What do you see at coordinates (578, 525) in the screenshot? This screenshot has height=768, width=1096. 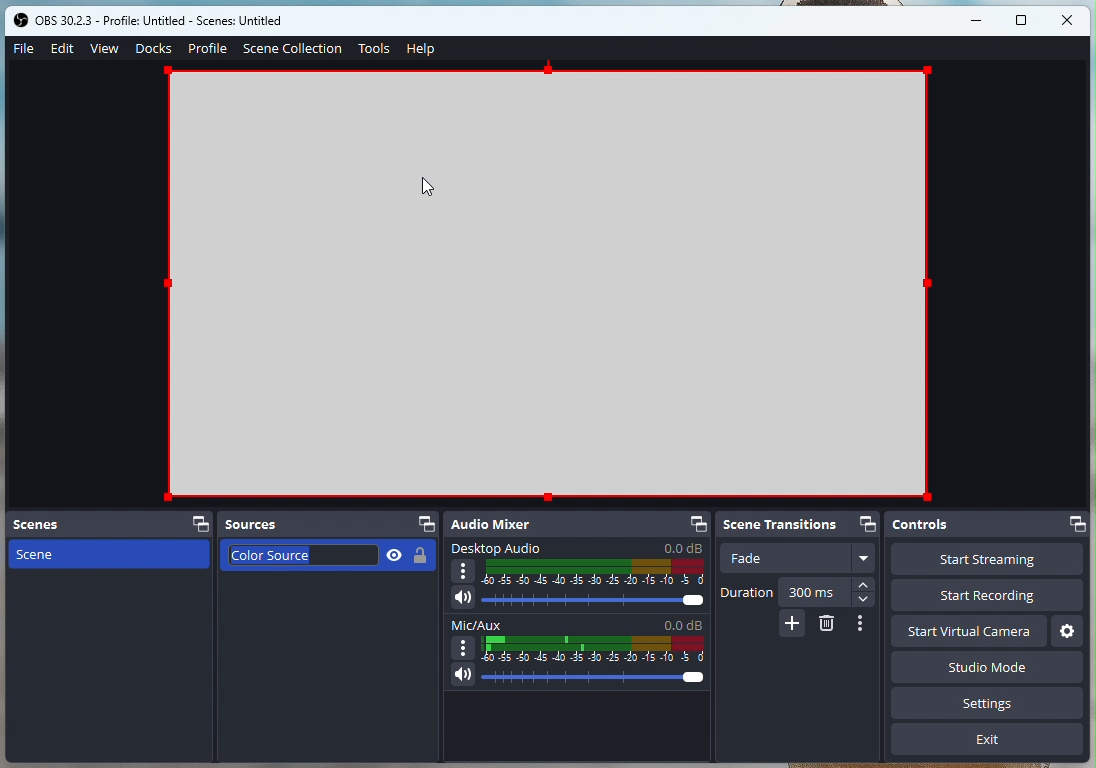 I see `Audio mixer` at bounding box center [578, 525].